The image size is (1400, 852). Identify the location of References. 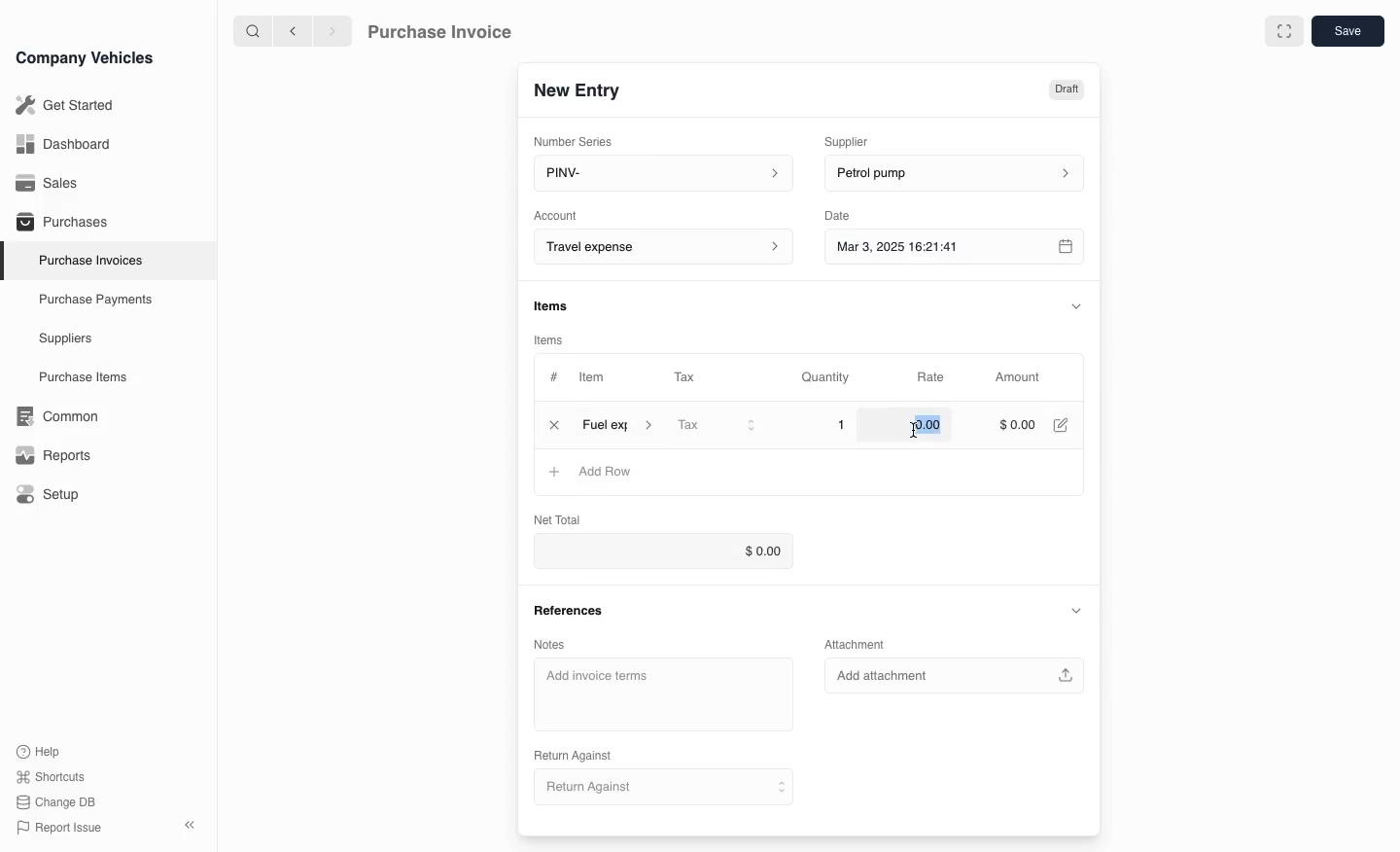
(571, 610).